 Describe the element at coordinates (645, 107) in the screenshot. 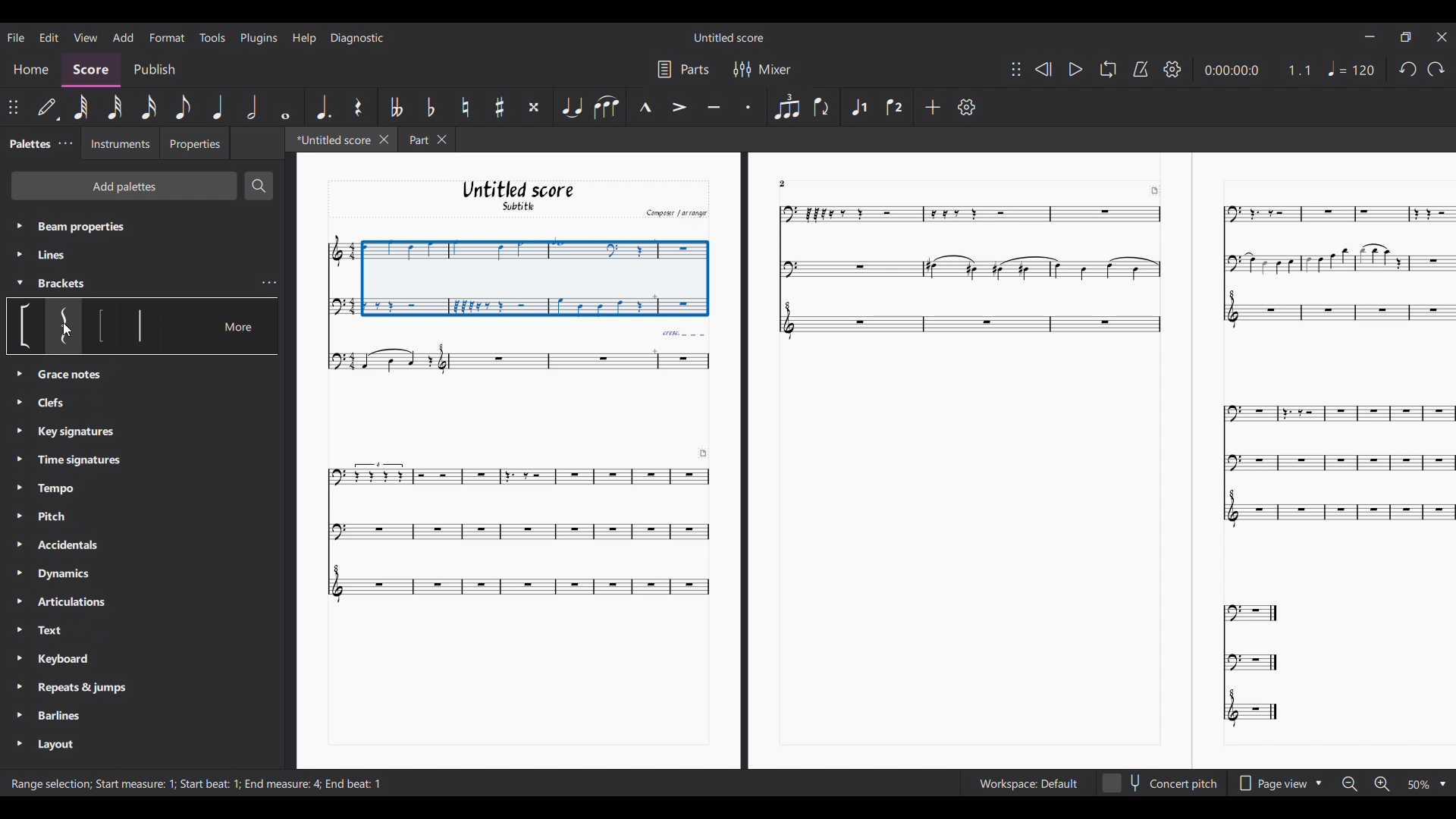

I see `Marcato` at that location.